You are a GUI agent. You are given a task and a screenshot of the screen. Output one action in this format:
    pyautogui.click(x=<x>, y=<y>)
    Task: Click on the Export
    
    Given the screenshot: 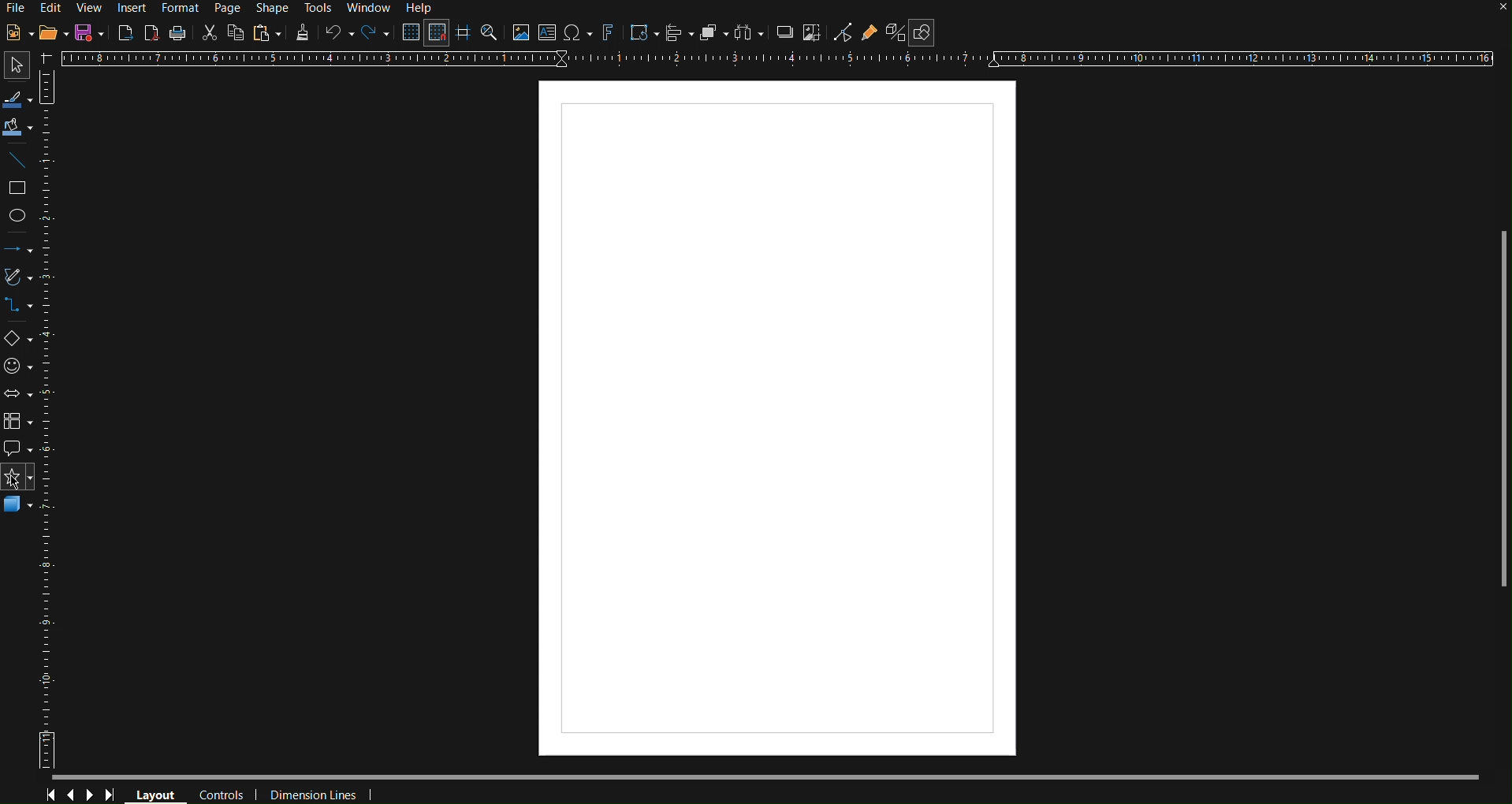 What is the action you would take?
    pyautogui.click(x=125, y=32)
    